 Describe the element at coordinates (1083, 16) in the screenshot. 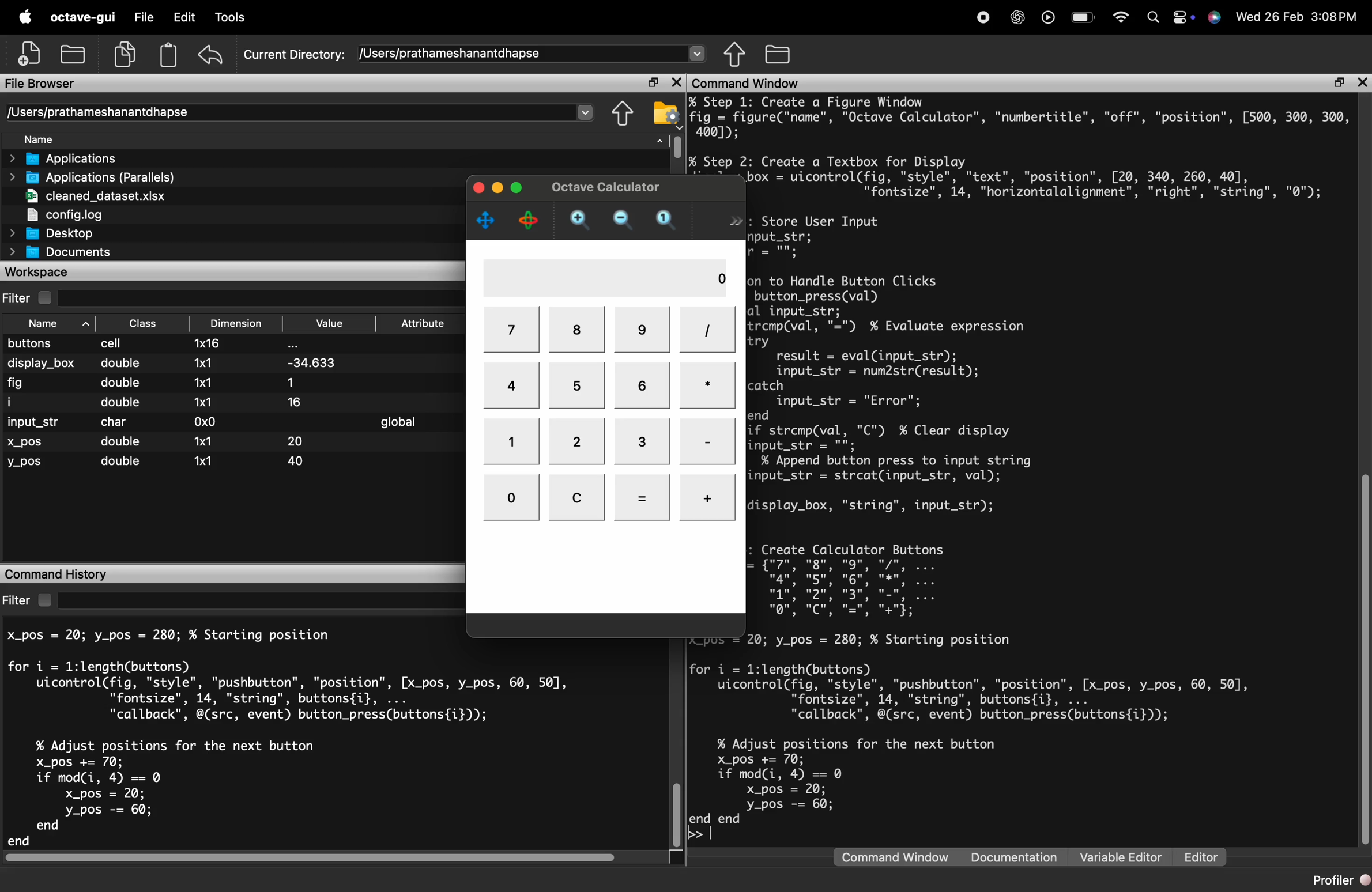

I see `battery` at that location.